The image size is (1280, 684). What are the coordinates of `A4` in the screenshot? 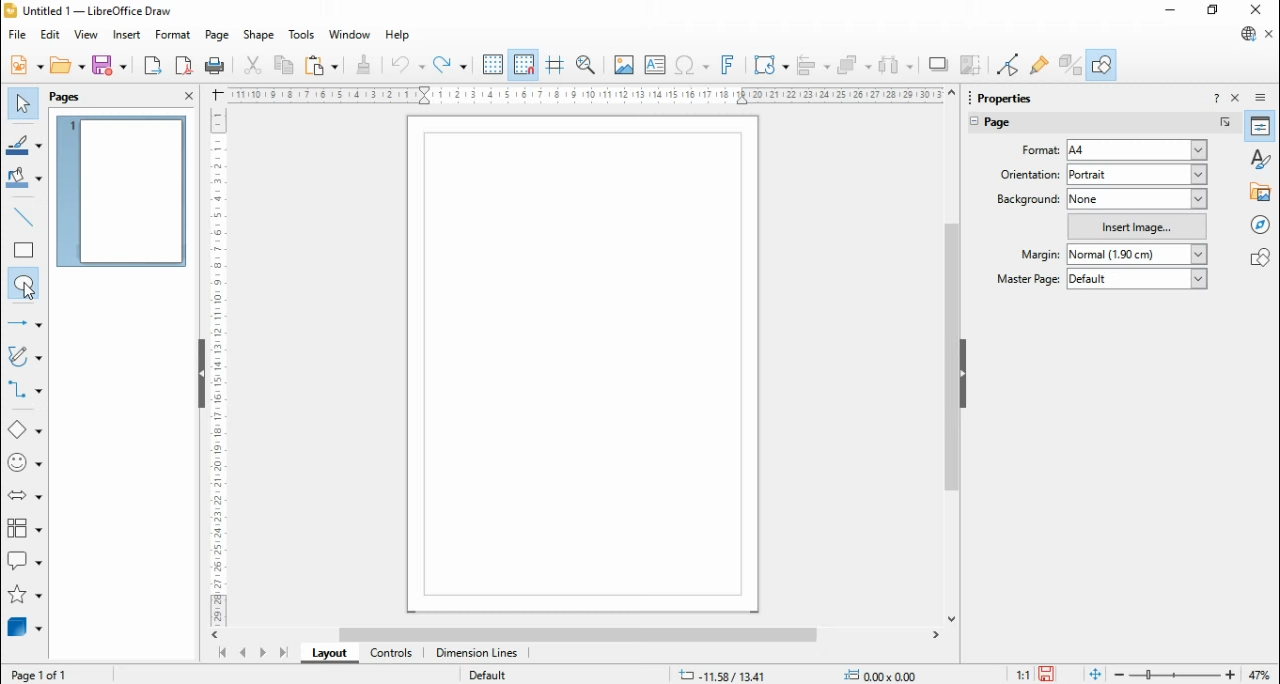 It's located at (1139, 151).